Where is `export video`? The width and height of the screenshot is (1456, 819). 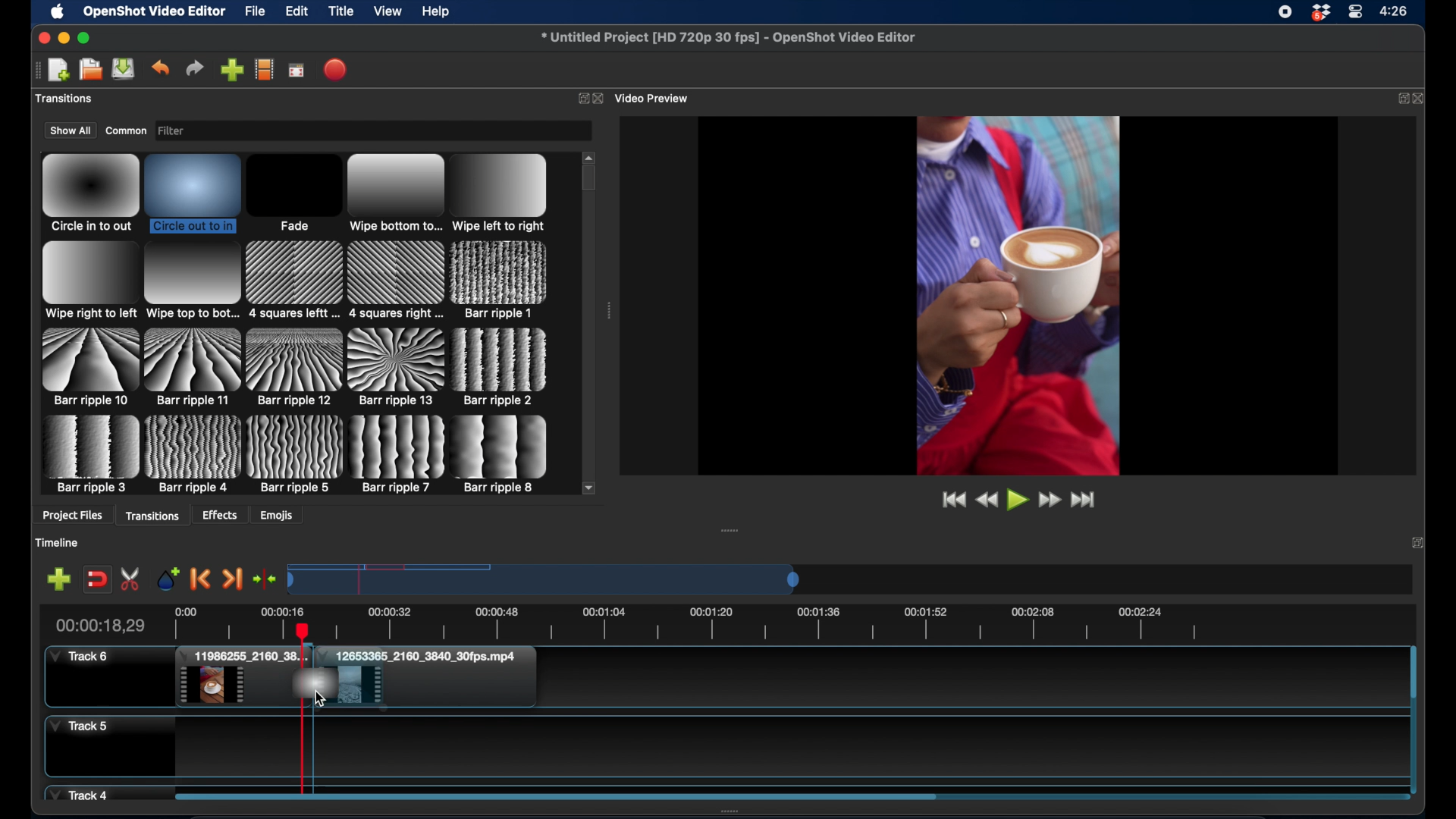 export video is located at coordinates (336, 69).